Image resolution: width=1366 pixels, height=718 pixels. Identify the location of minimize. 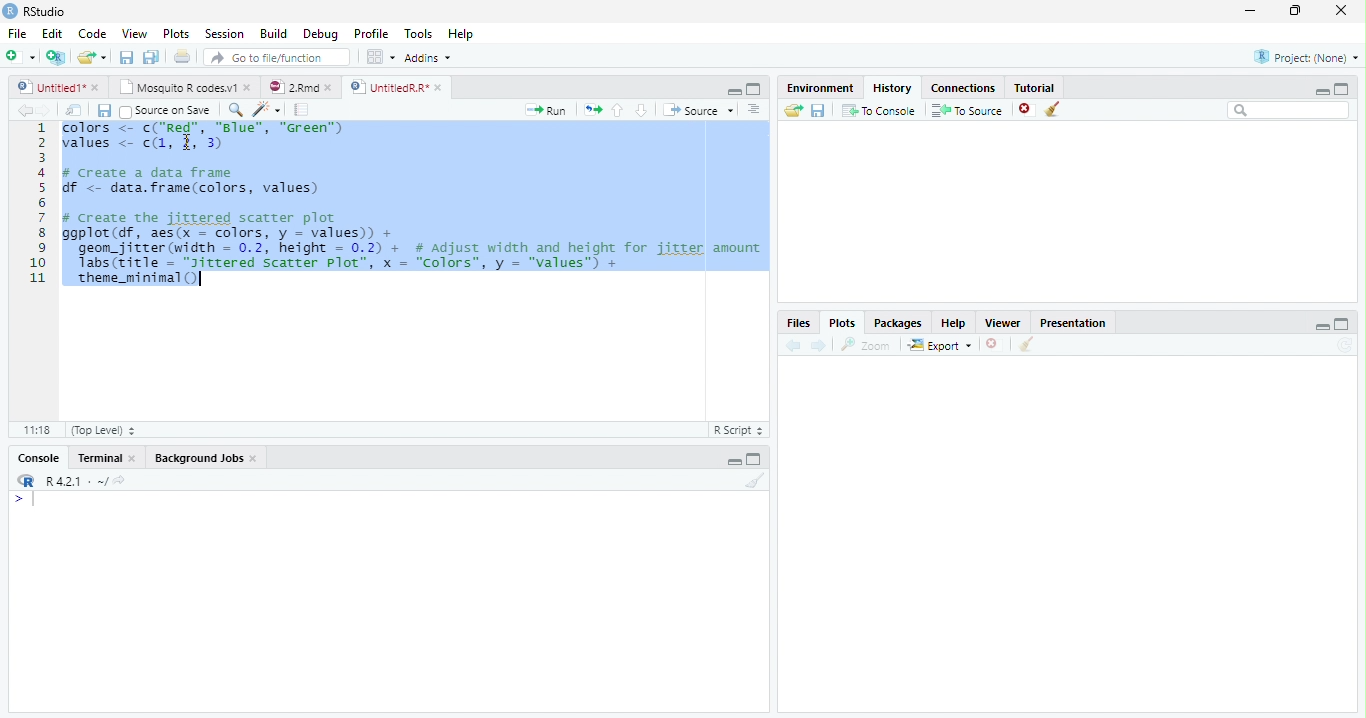
(1251, 10).